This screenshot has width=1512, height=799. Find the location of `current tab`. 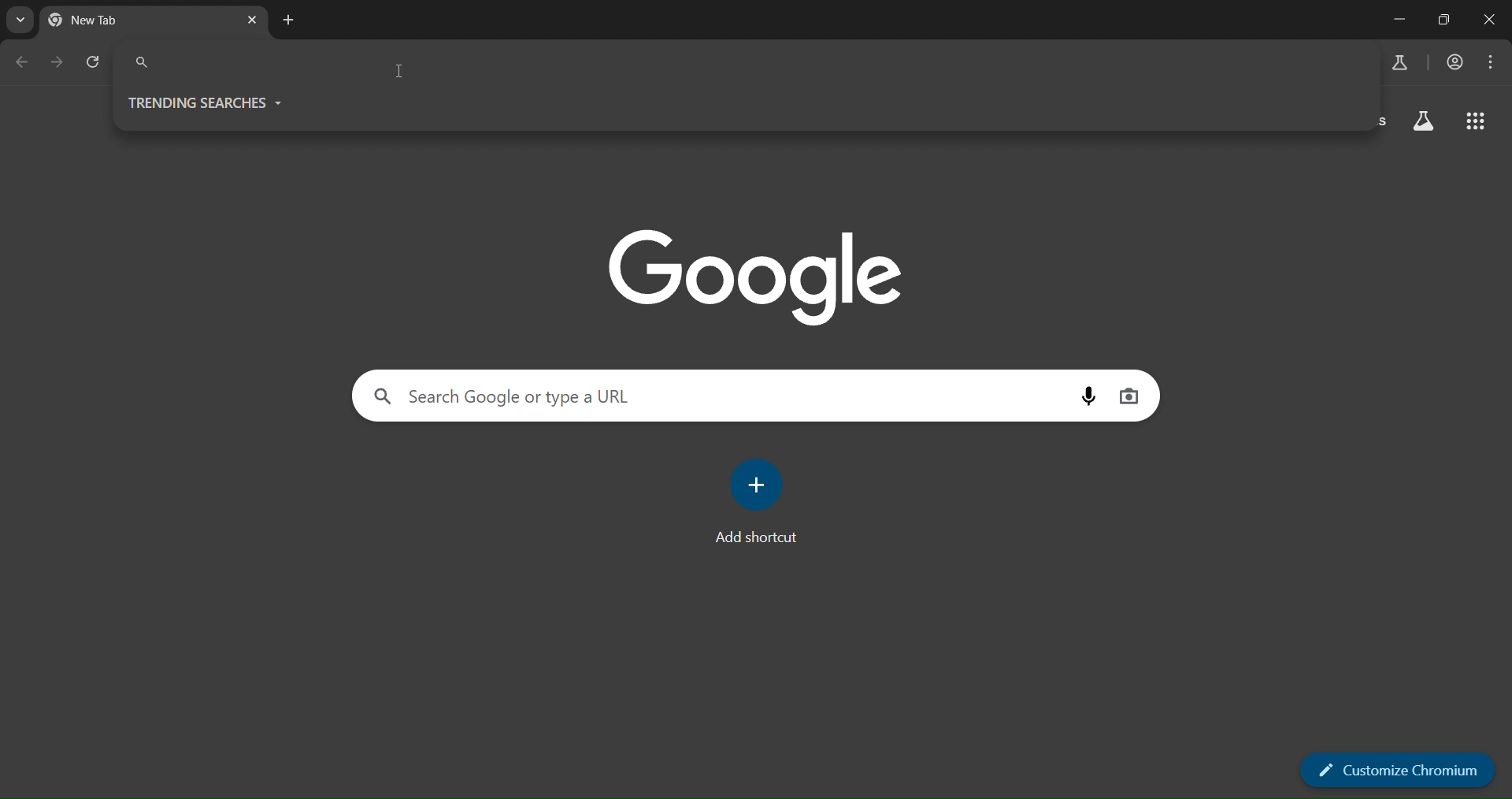

current tab is located at coordinates (114, 20).